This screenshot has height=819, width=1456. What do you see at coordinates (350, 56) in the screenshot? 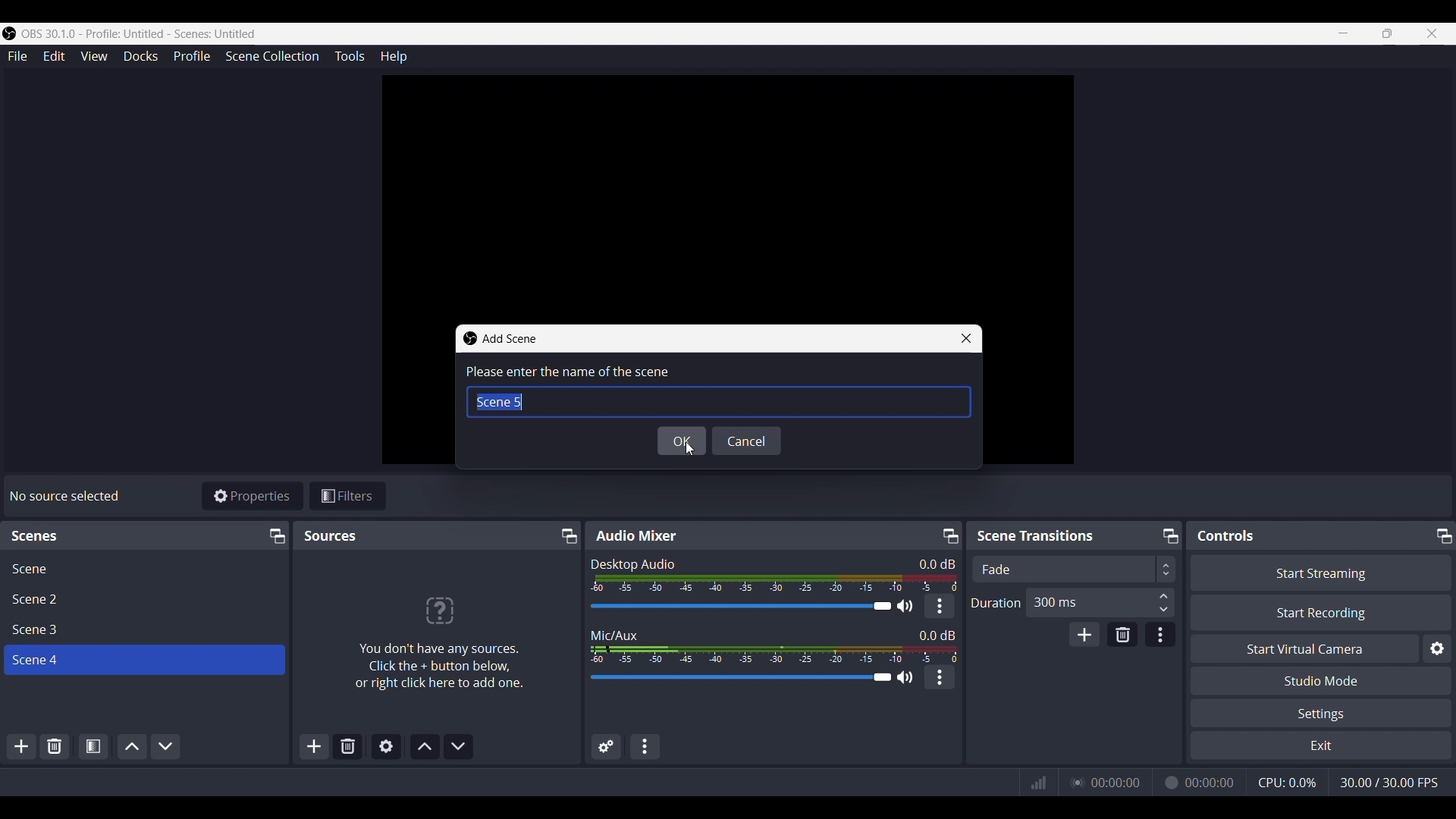
I see `Tools` at bounding box center [350, 56].